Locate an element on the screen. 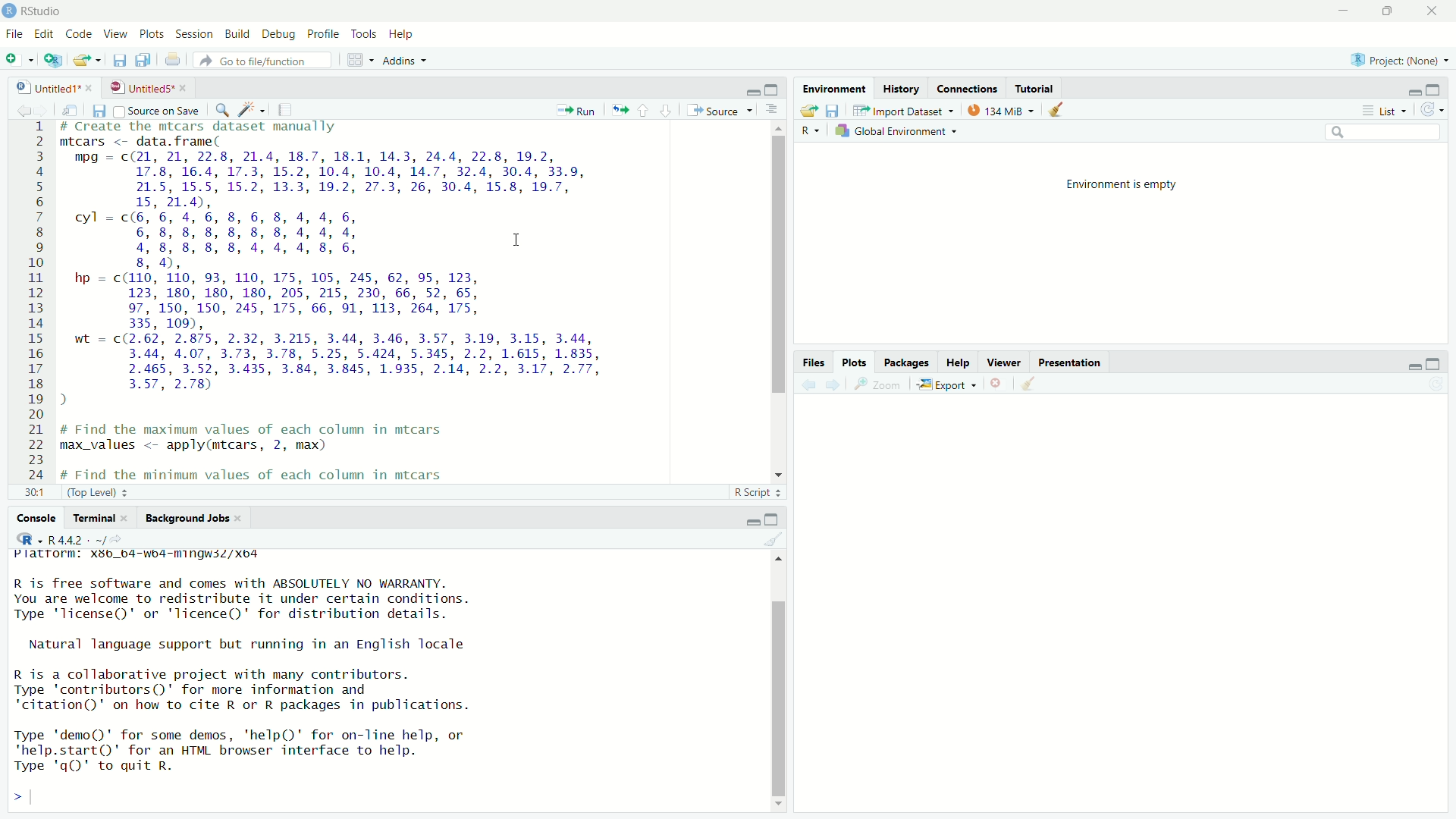 Image resolution: width=1456 pixels, height=819 pixels. «3 Export + is located at coordinates (949, 384).